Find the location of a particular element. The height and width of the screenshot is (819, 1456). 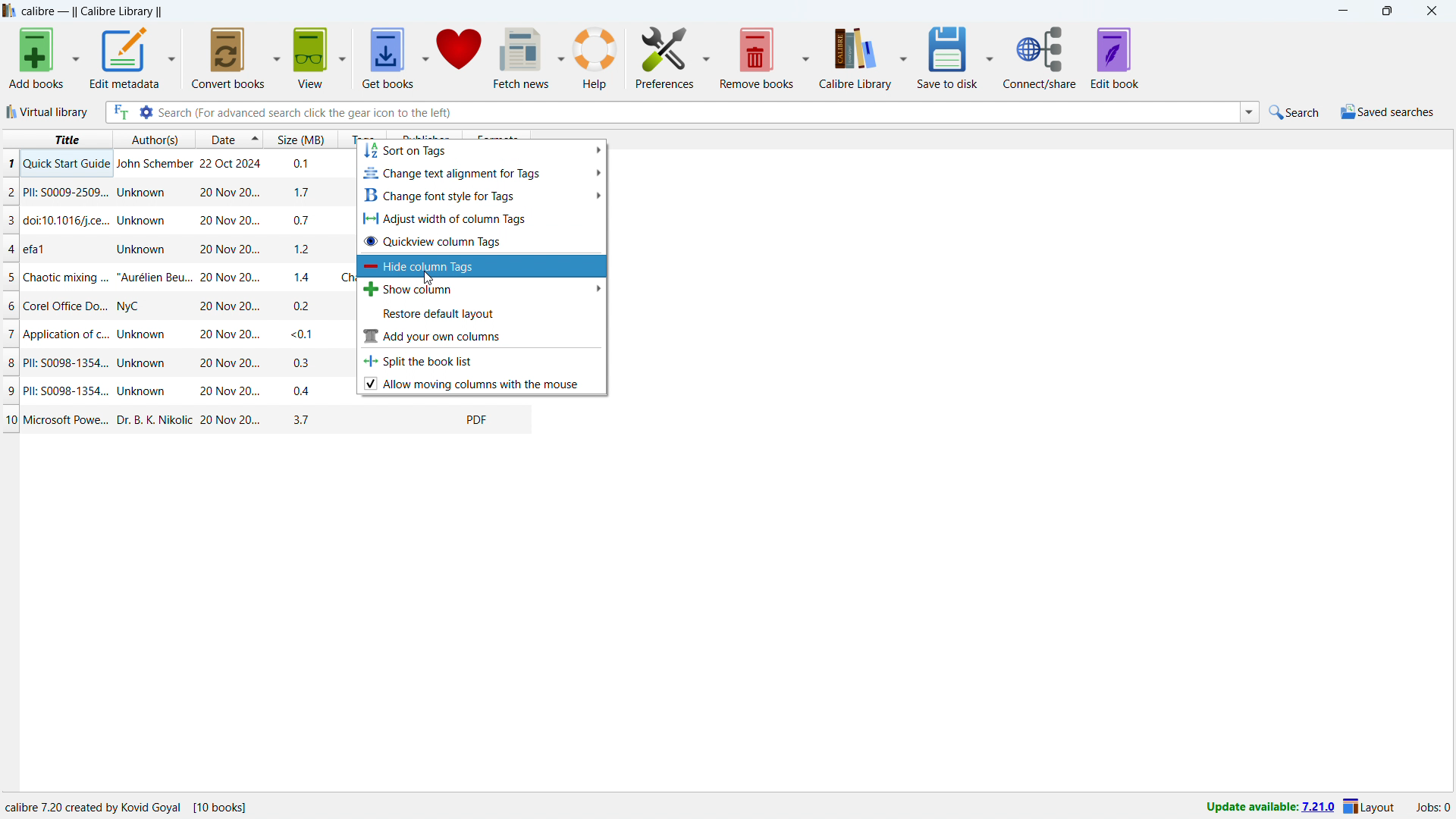

layout is located at coordinates (1372, 807).